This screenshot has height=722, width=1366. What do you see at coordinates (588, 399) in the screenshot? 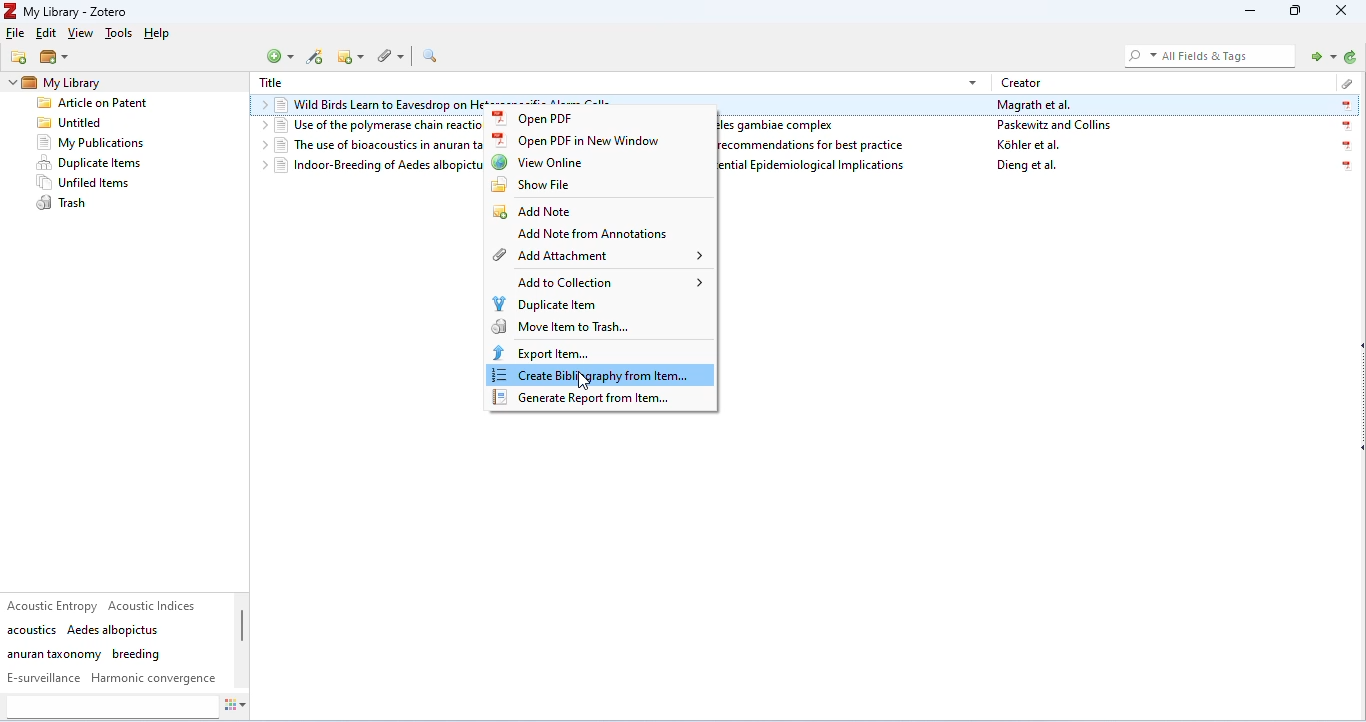
I see `generate report from item` at bounding box center [588, 399].